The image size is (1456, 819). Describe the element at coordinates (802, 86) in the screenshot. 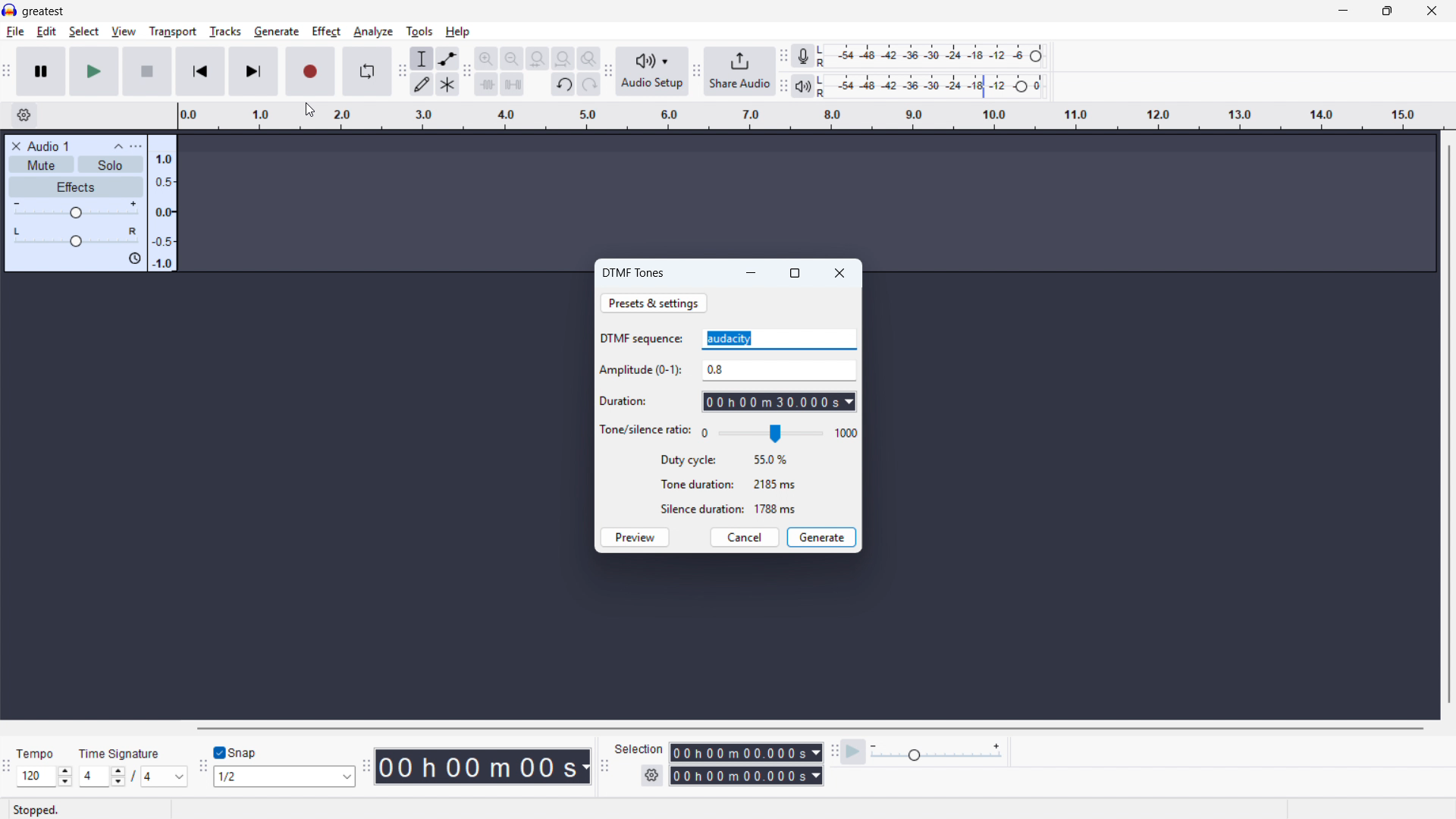

I see `playback meter` at that location.